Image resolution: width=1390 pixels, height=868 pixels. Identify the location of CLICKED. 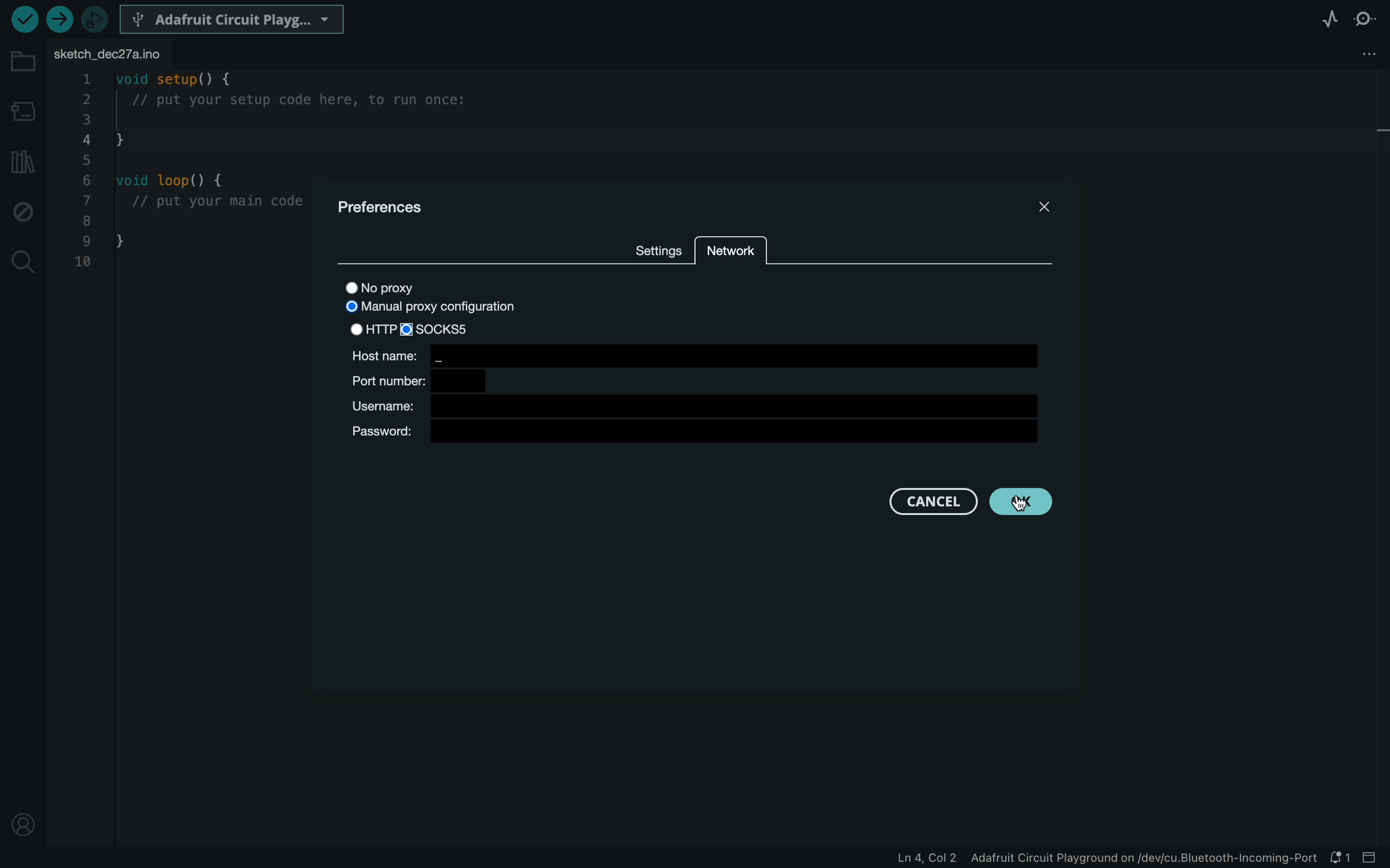
(1025, 503).